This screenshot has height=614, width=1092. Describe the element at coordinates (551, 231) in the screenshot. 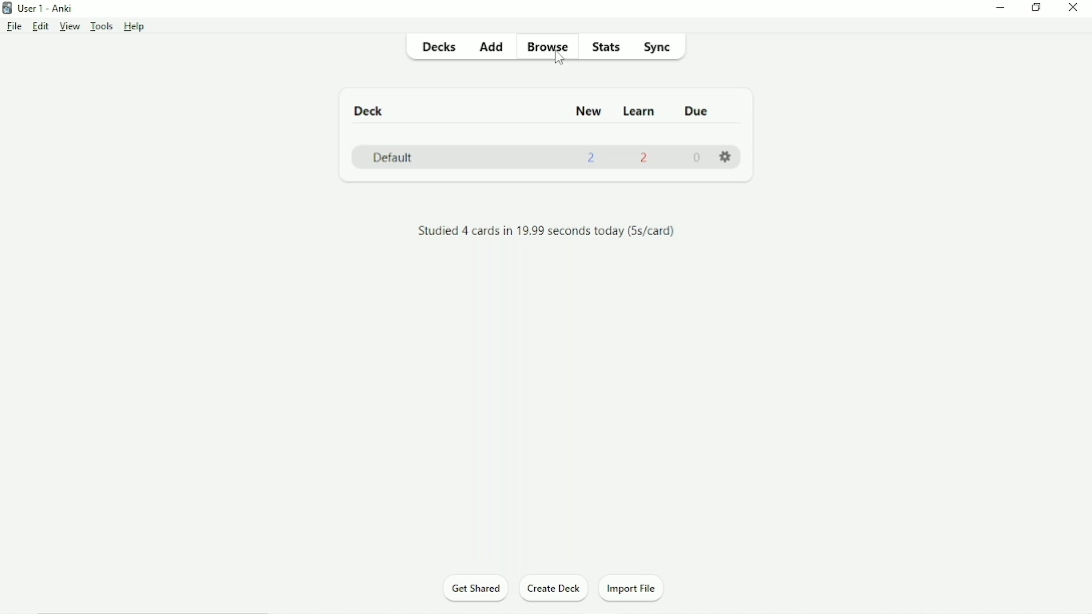

I see `Studied 4 cards in 19.99 seconds today (5s/card)` at that location.